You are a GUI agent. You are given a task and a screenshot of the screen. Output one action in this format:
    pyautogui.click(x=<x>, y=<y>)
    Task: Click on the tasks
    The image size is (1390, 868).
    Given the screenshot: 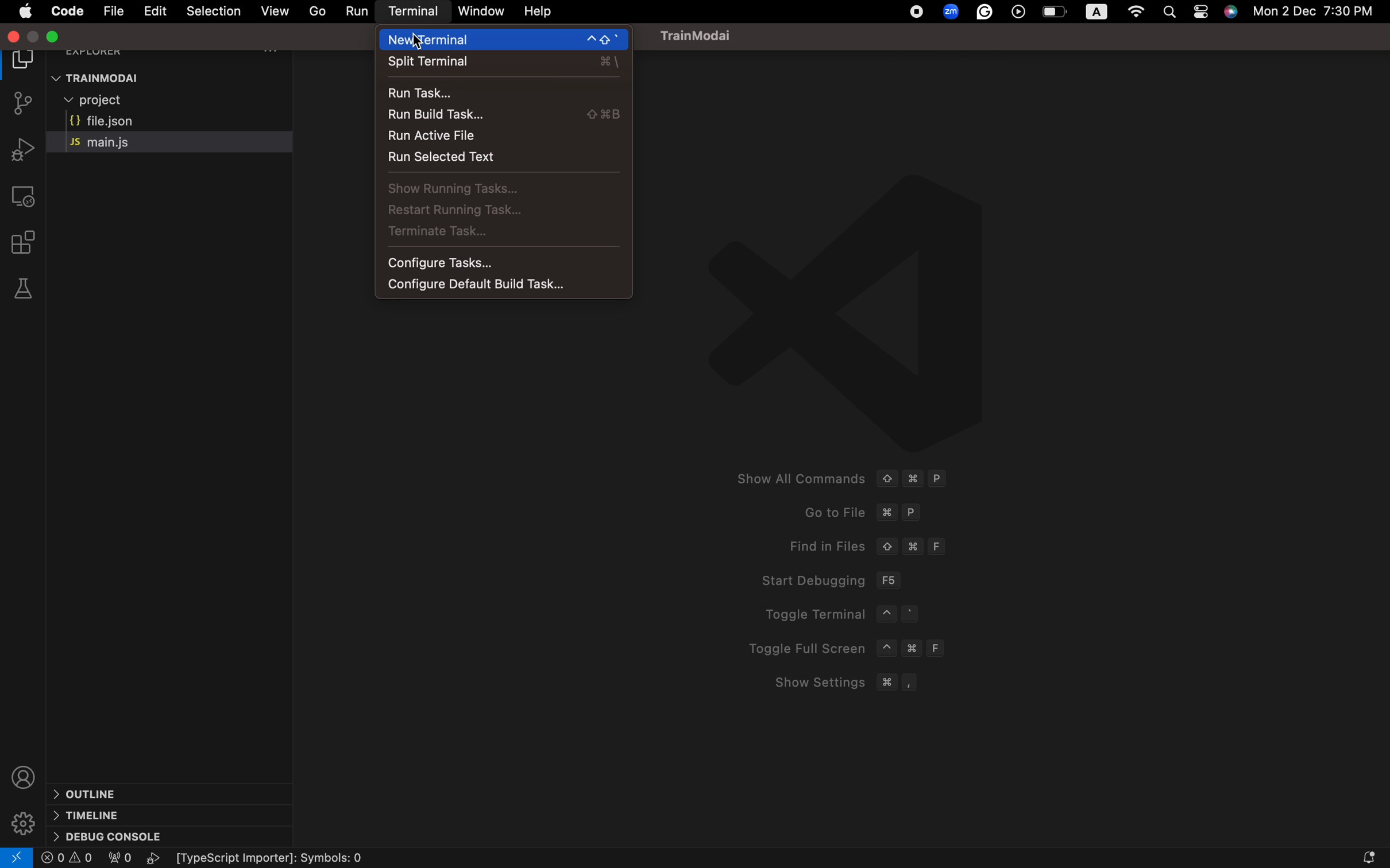 What is the action you would take?
    pyautogui.click(x=498, y=189)
    